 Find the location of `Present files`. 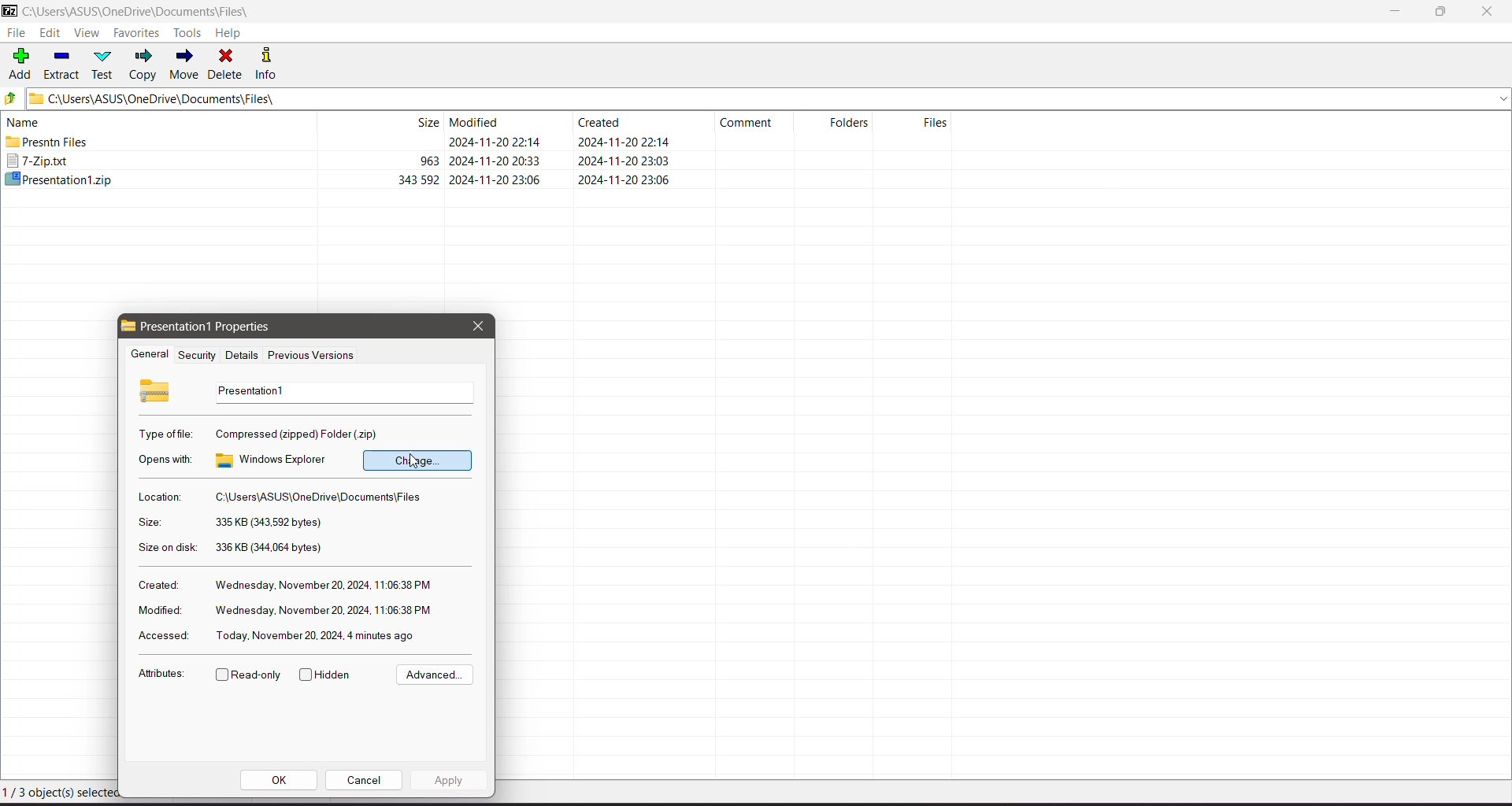

Present files is located at coordinates (343, 143).